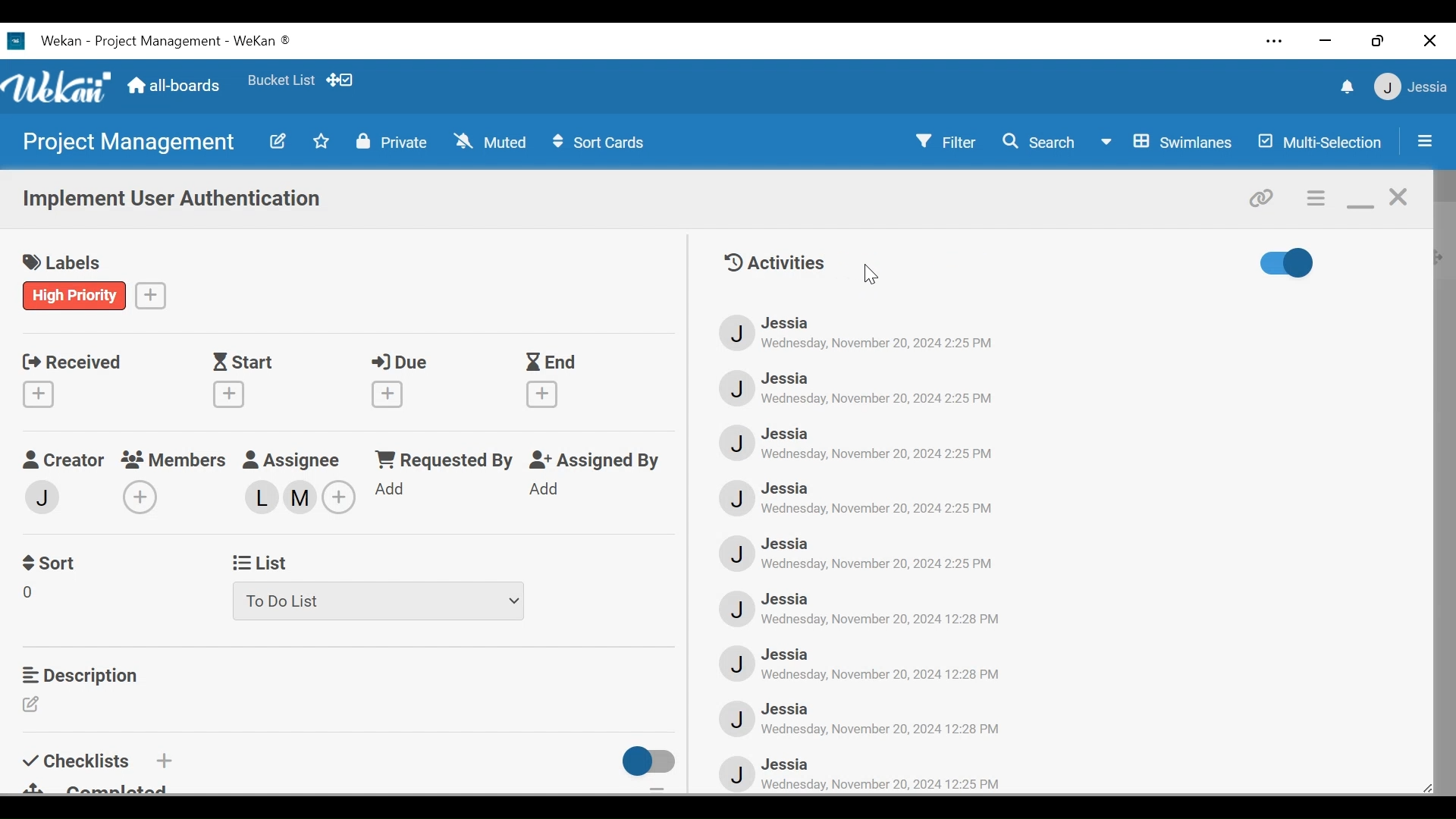 The image size is (1456, 819). Describe the element at coordinates (59, 89) in the screenshot. I see `Wekan logo` at that location.